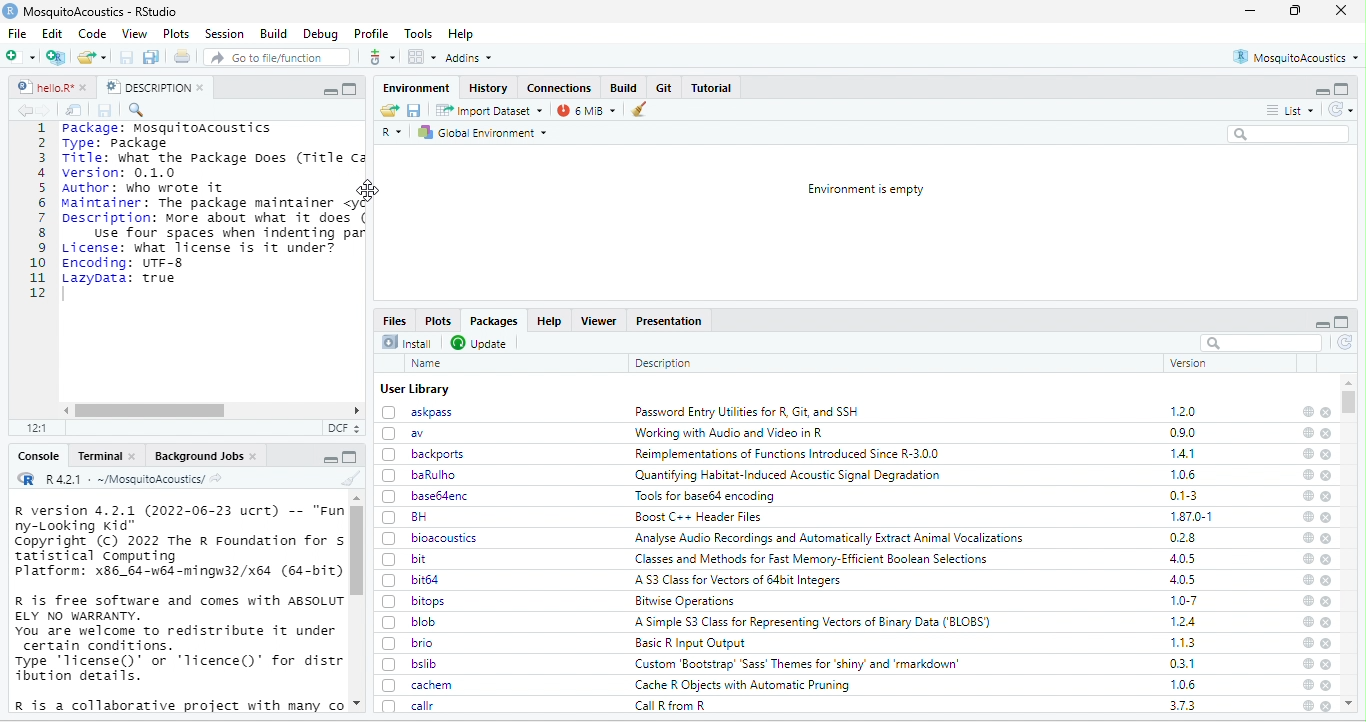 This screenshot has height=722, width=1366. What do you see at coordinates (411, 663) in the screenshot?
I see `bslib` at bounding box center [411, 663].